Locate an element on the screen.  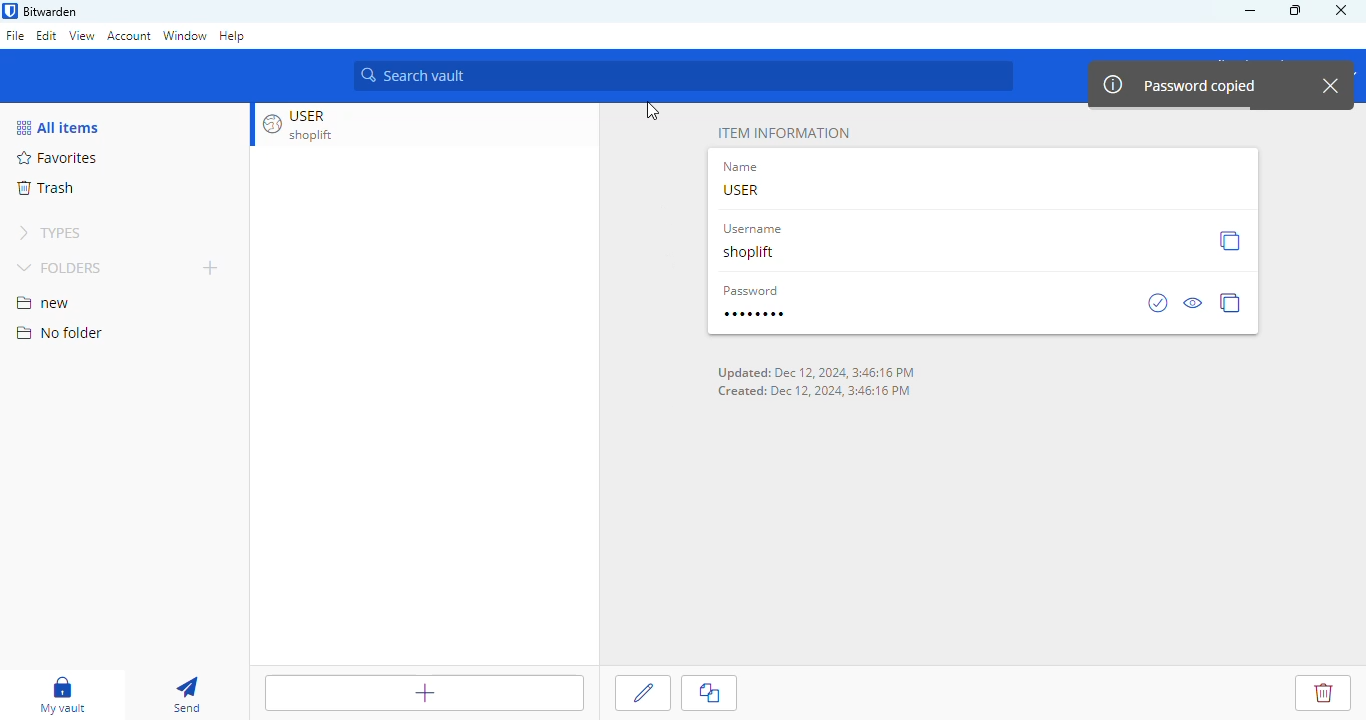
USER   shoplift is located at coordinates (311, 124).